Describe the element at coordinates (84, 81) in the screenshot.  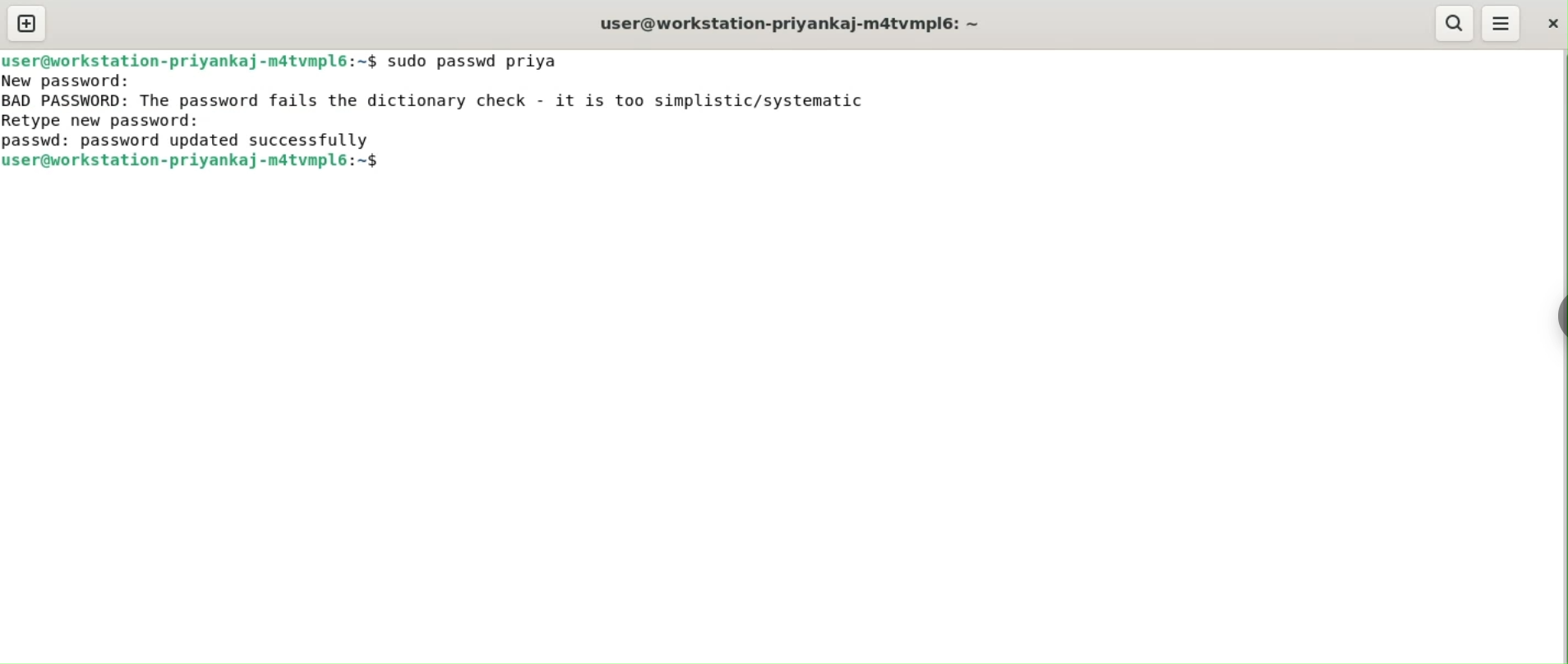
I see `new password:` at that location.